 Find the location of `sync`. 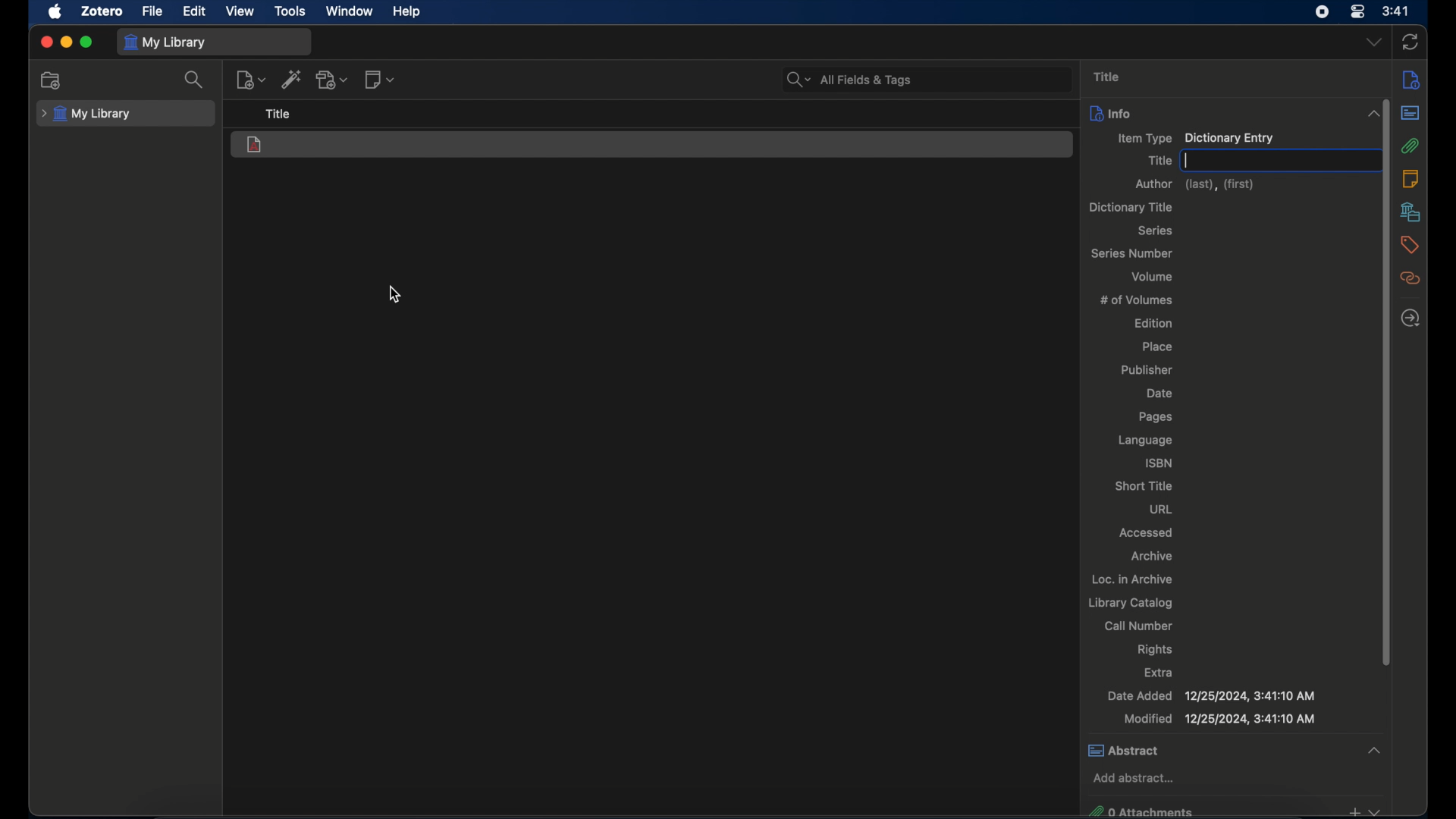

sync is located at coordinates (1410, 42).